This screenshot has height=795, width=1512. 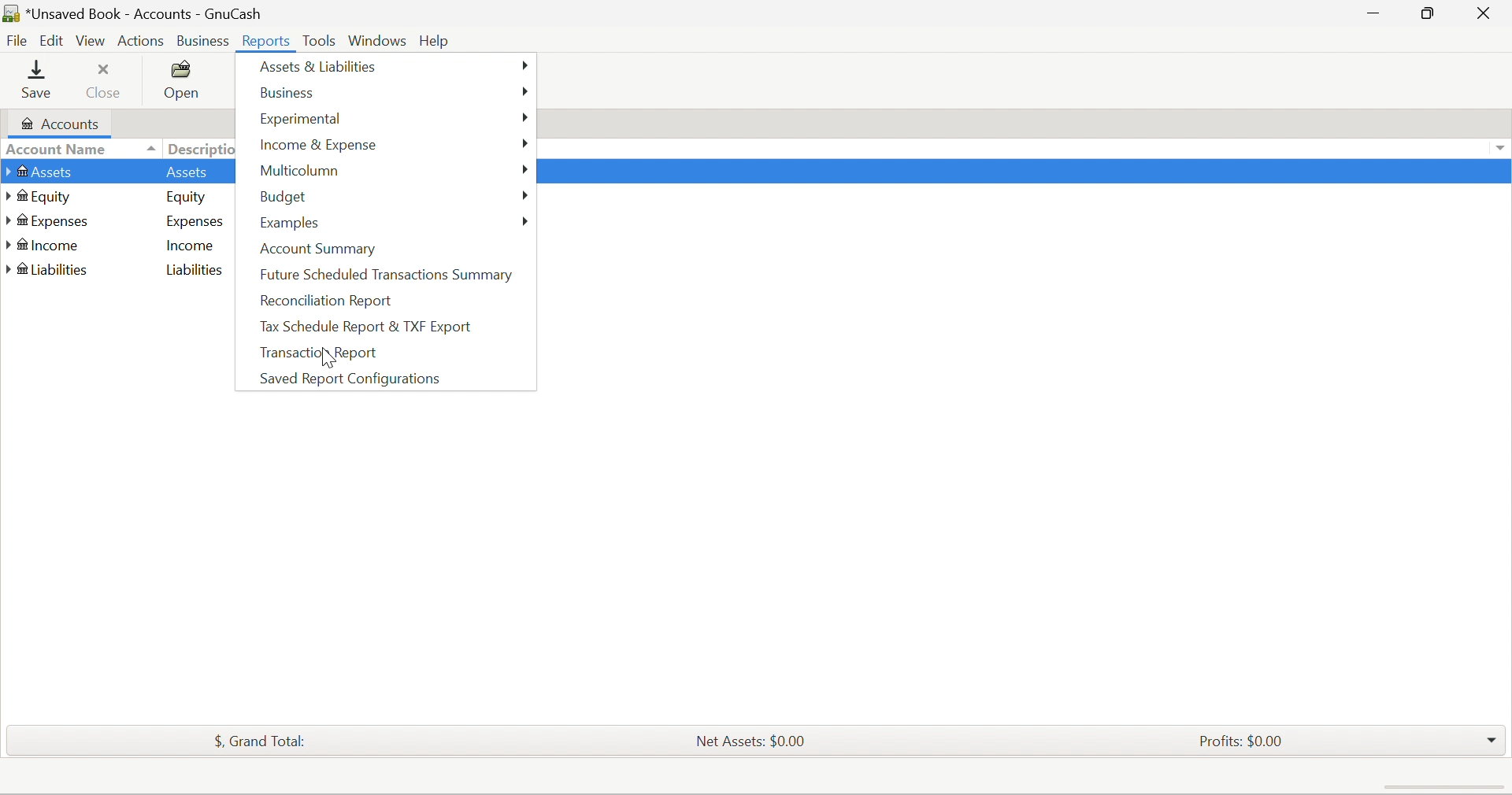 I want to click on Drop Down, so click(x=149, y=148).